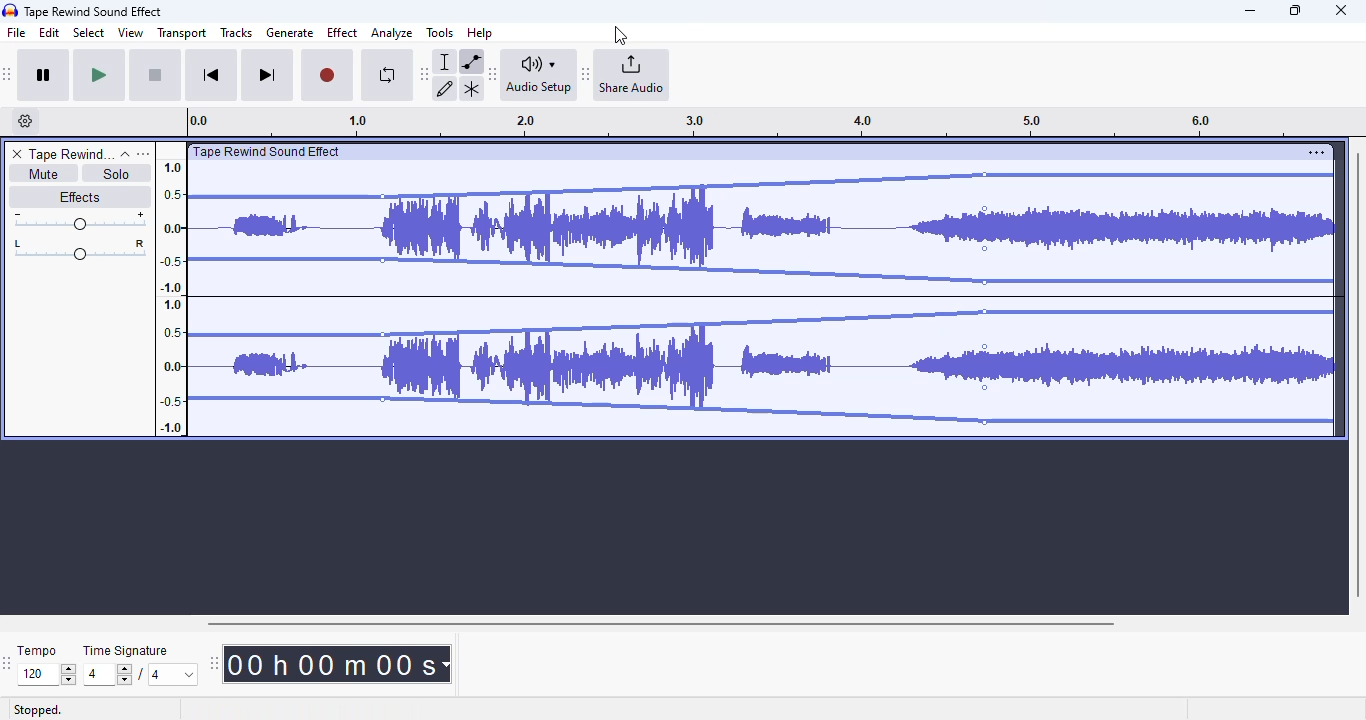  Describe the element at coordinates (236, 34) in the screenshot. I see `tracks` at that location.